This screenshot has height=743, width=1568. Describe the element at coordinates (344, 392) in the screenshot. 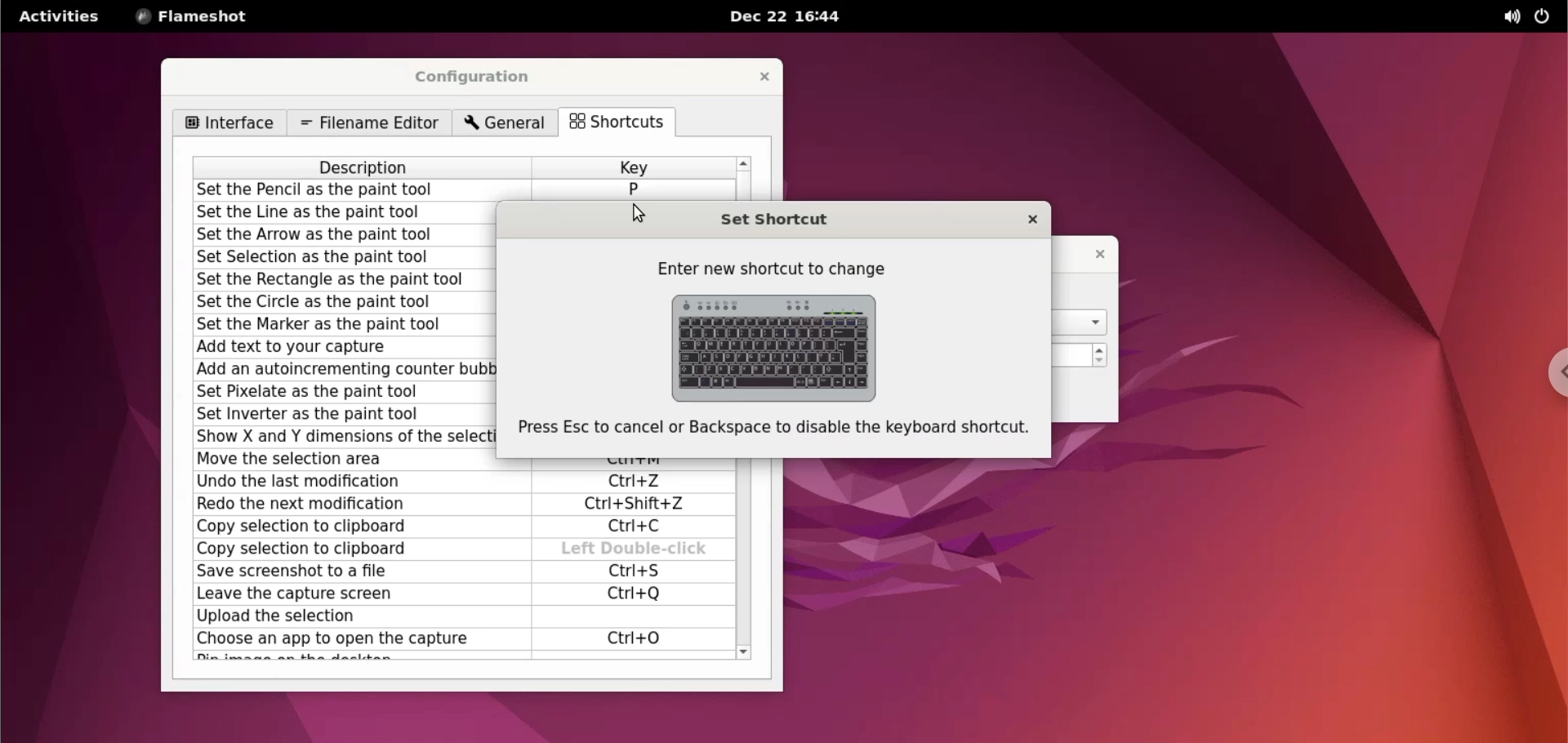

I see `set pixelate as the paint tool` at that location.